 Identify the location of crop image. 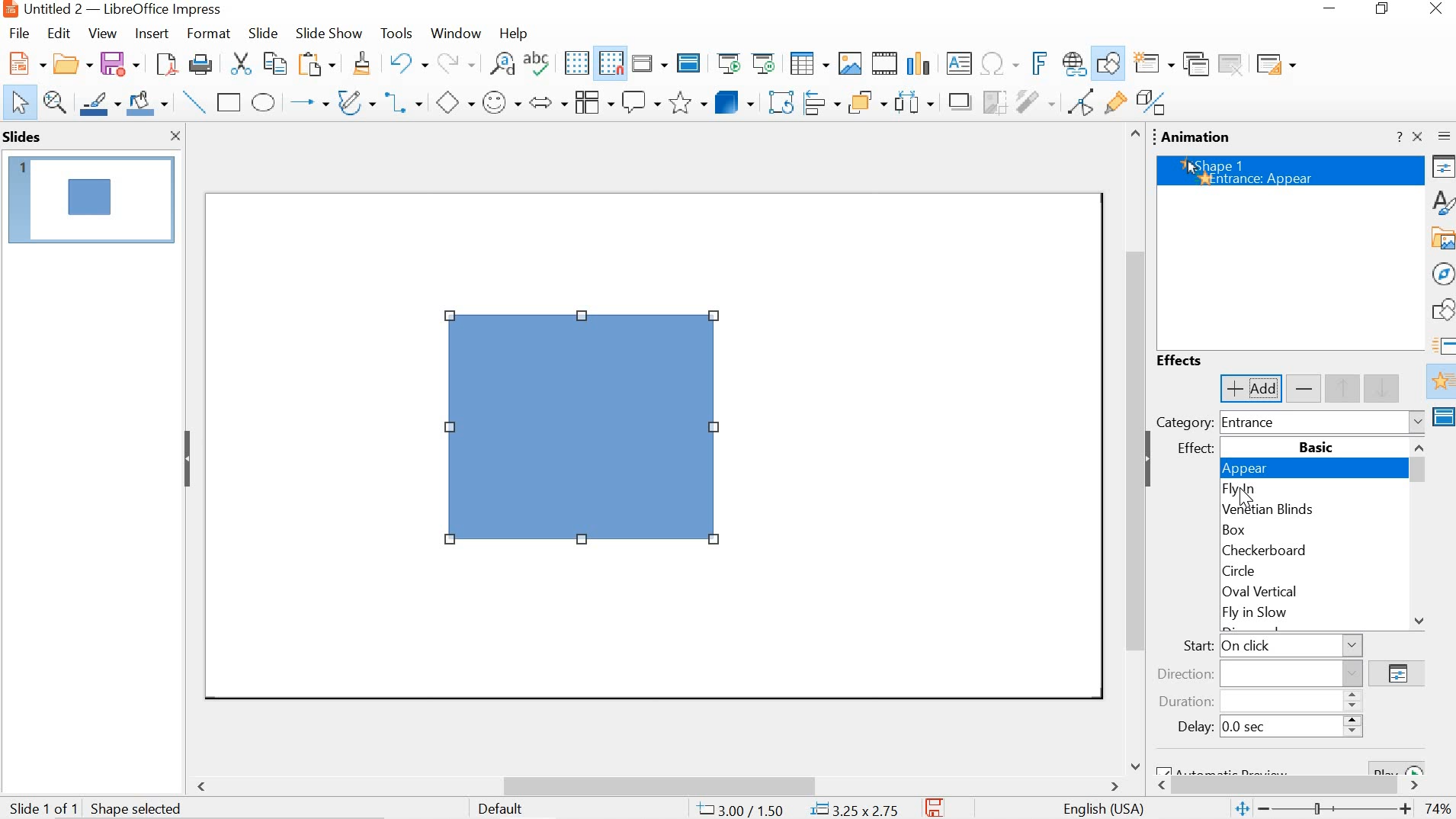
(991, 100).